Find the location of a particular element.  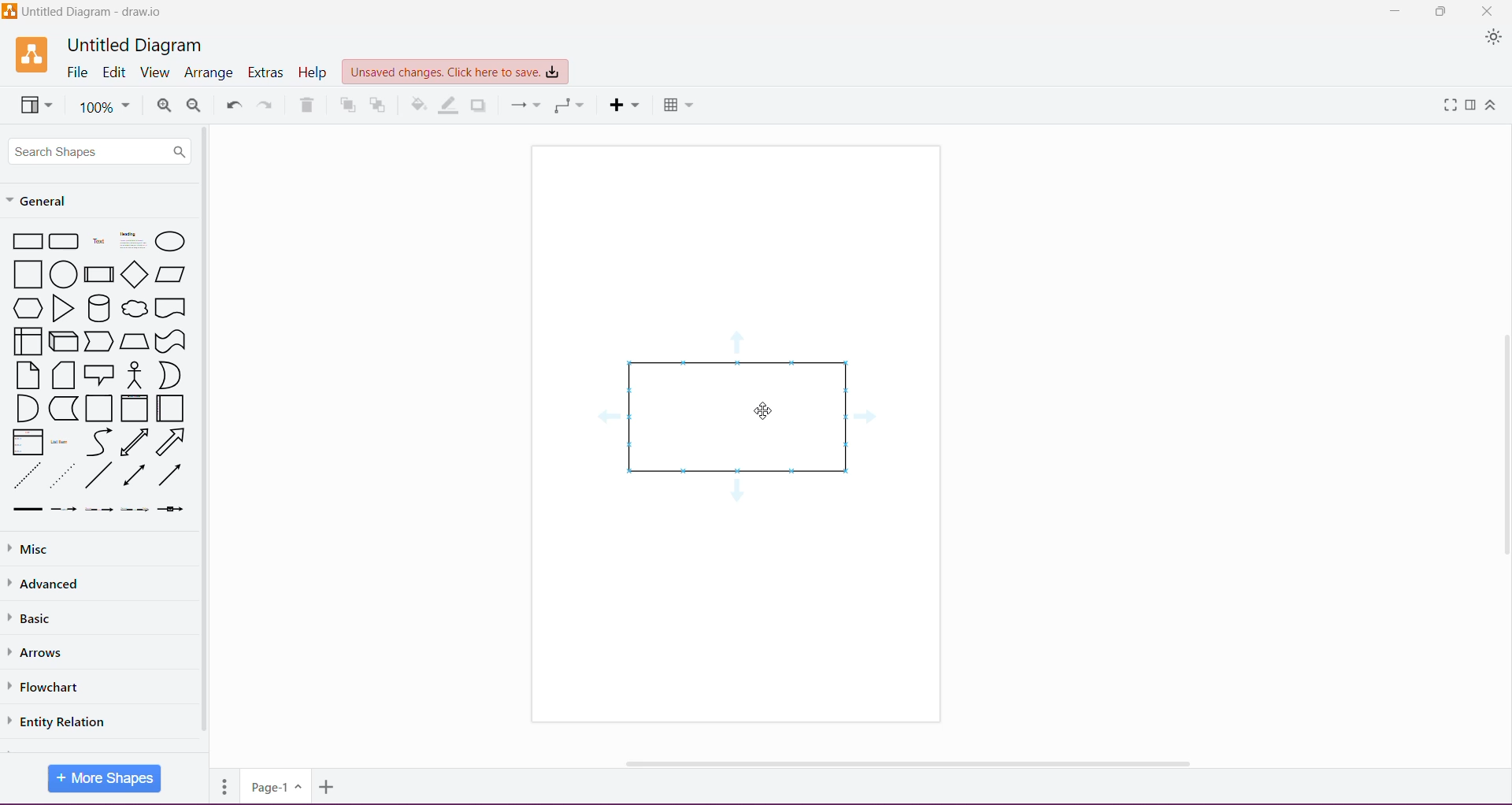

Arrows is located at coordinates (38, 651).